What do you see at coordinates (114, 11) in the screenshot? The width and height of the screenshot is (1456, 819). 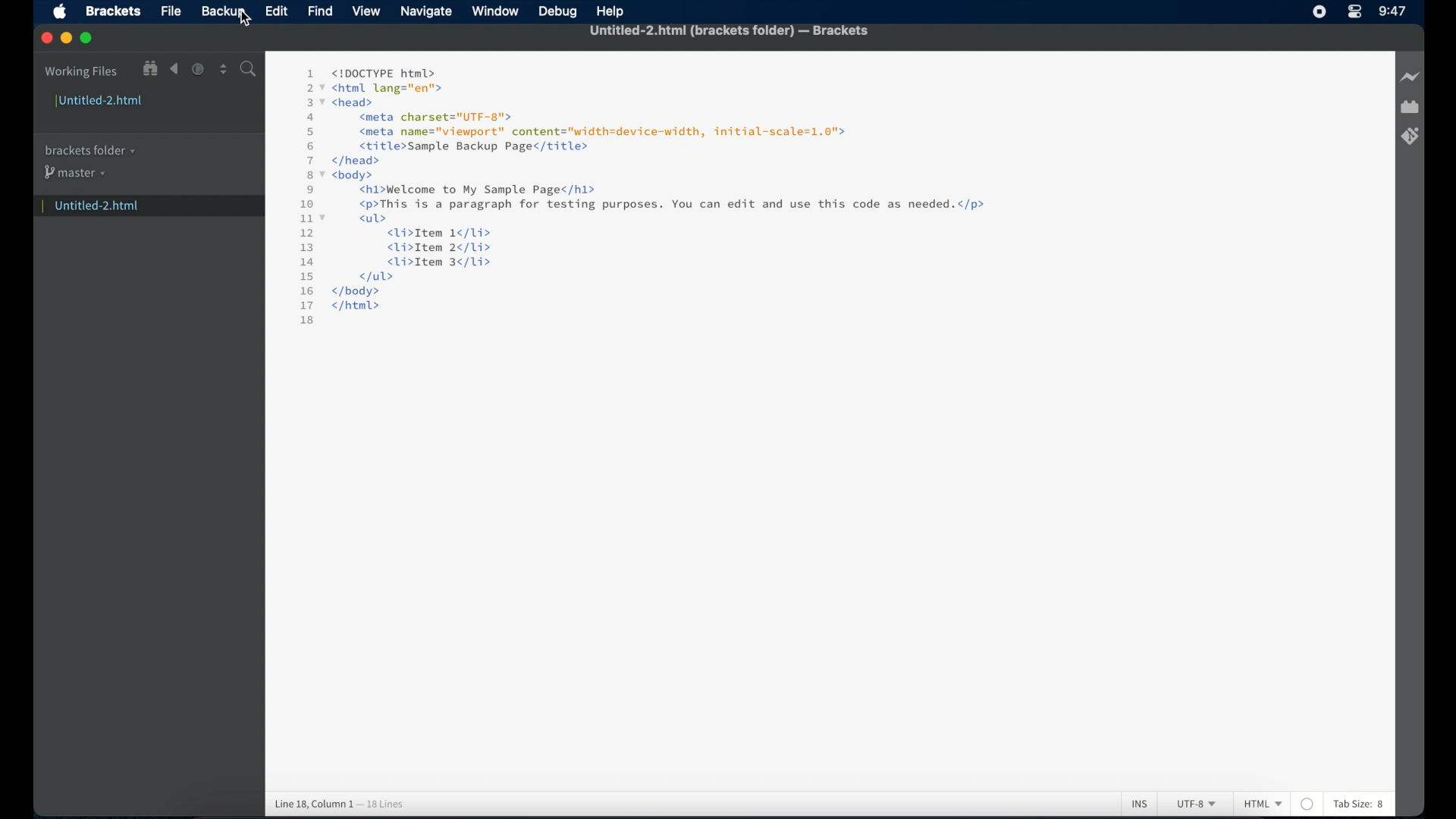 I see `brackets` at bounding box center [114, 11].